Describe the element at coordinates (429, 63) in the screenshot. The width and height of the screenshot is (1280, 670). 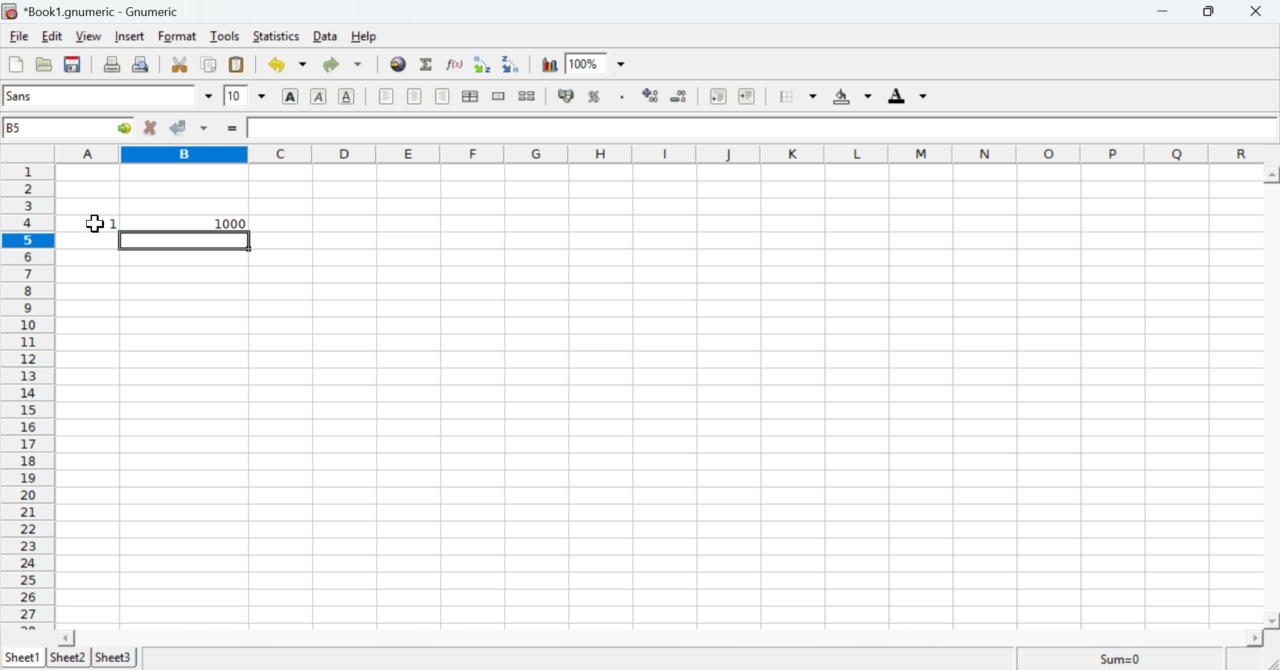
I see `Sum into the current cell` at that location.